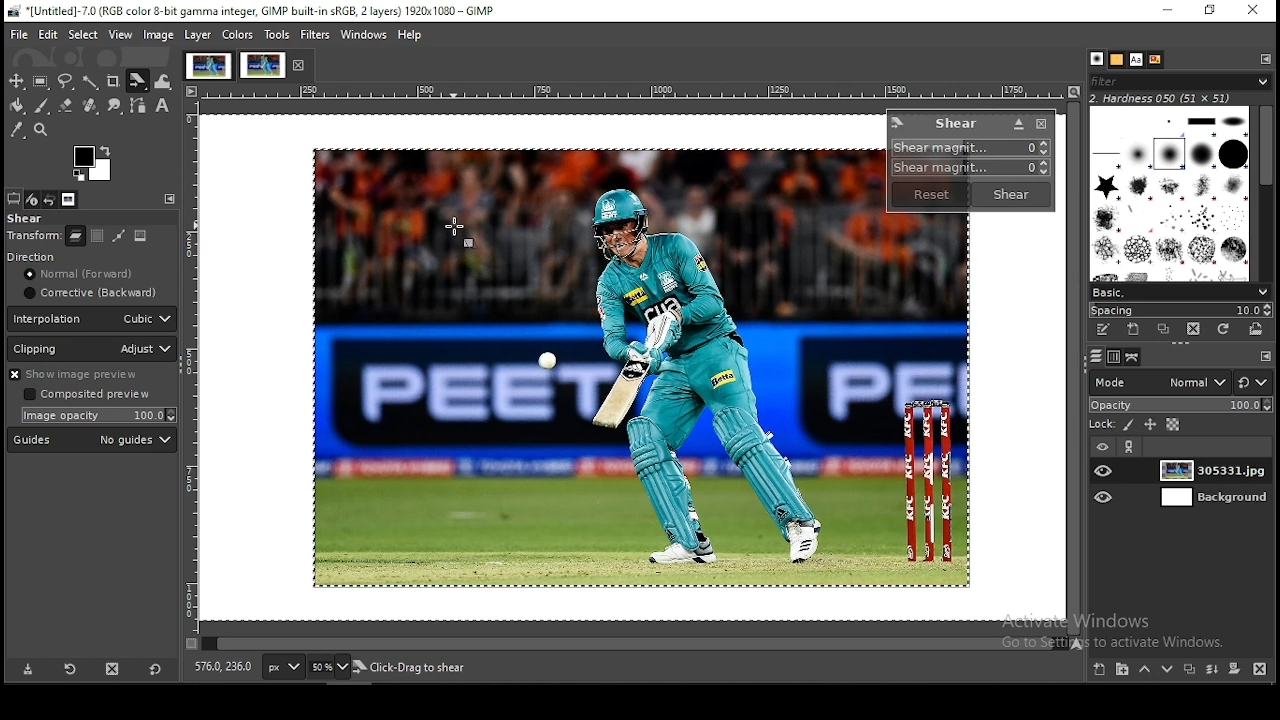 The image size is (1280, 720). What do you see at coordinates (930, 195) in the screenshot?
I see `reset` at bounding box center [930, 195].